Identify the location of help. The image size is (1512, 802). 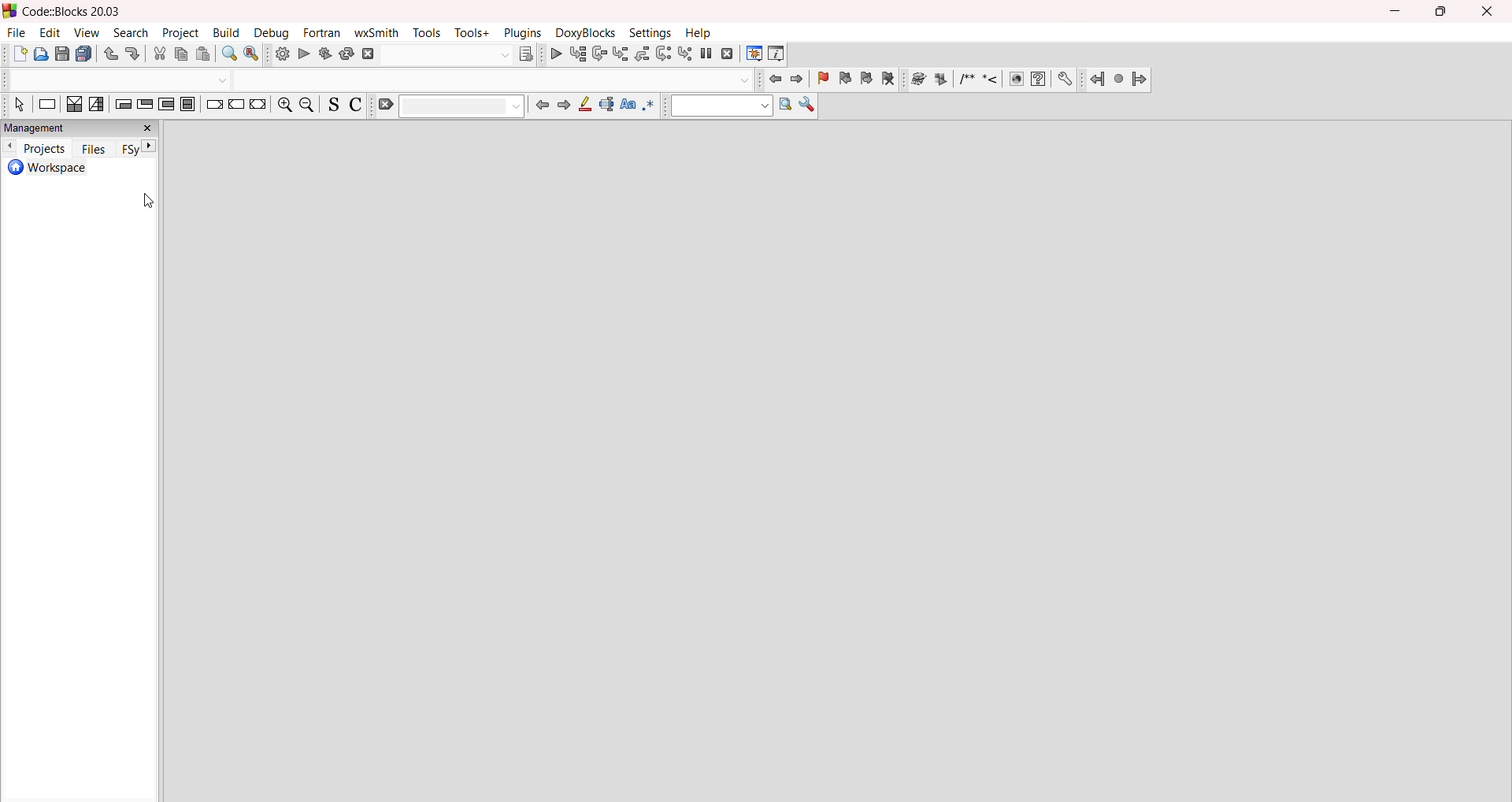
(699, 34).